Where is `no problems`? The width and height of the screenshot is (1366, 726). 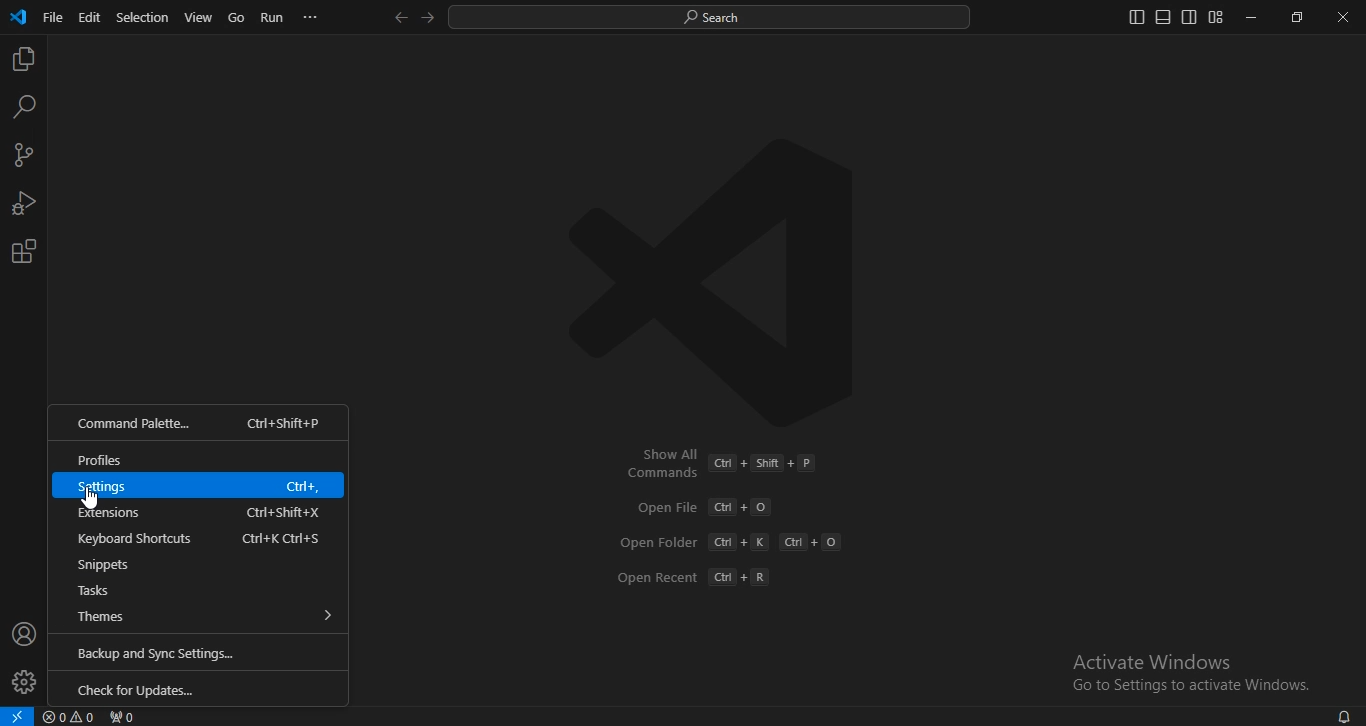 no problems is located at coordinates (72, 717).